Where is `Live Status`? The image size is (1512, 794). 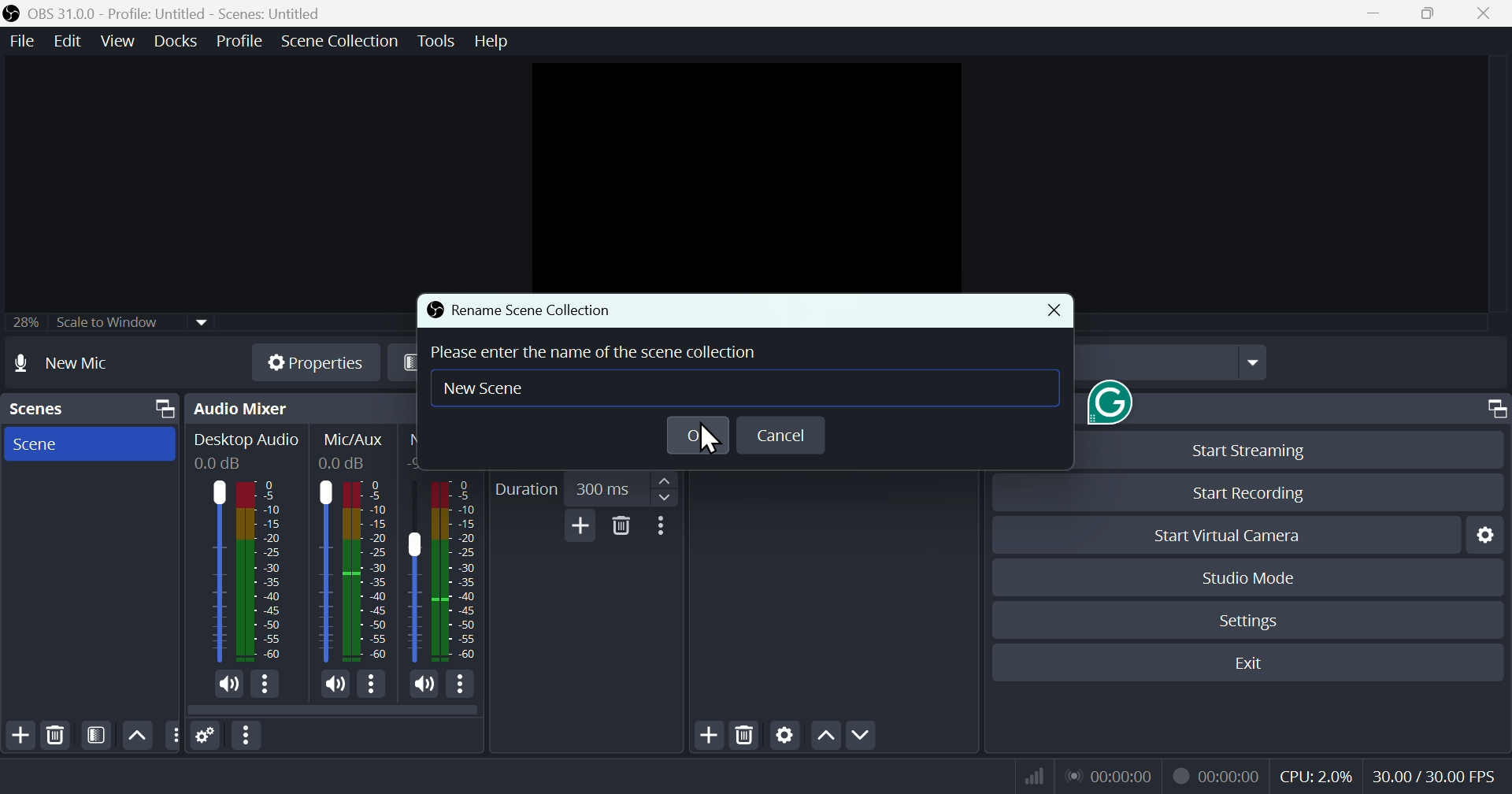 Live Status is located at coordinates (1110, 776).